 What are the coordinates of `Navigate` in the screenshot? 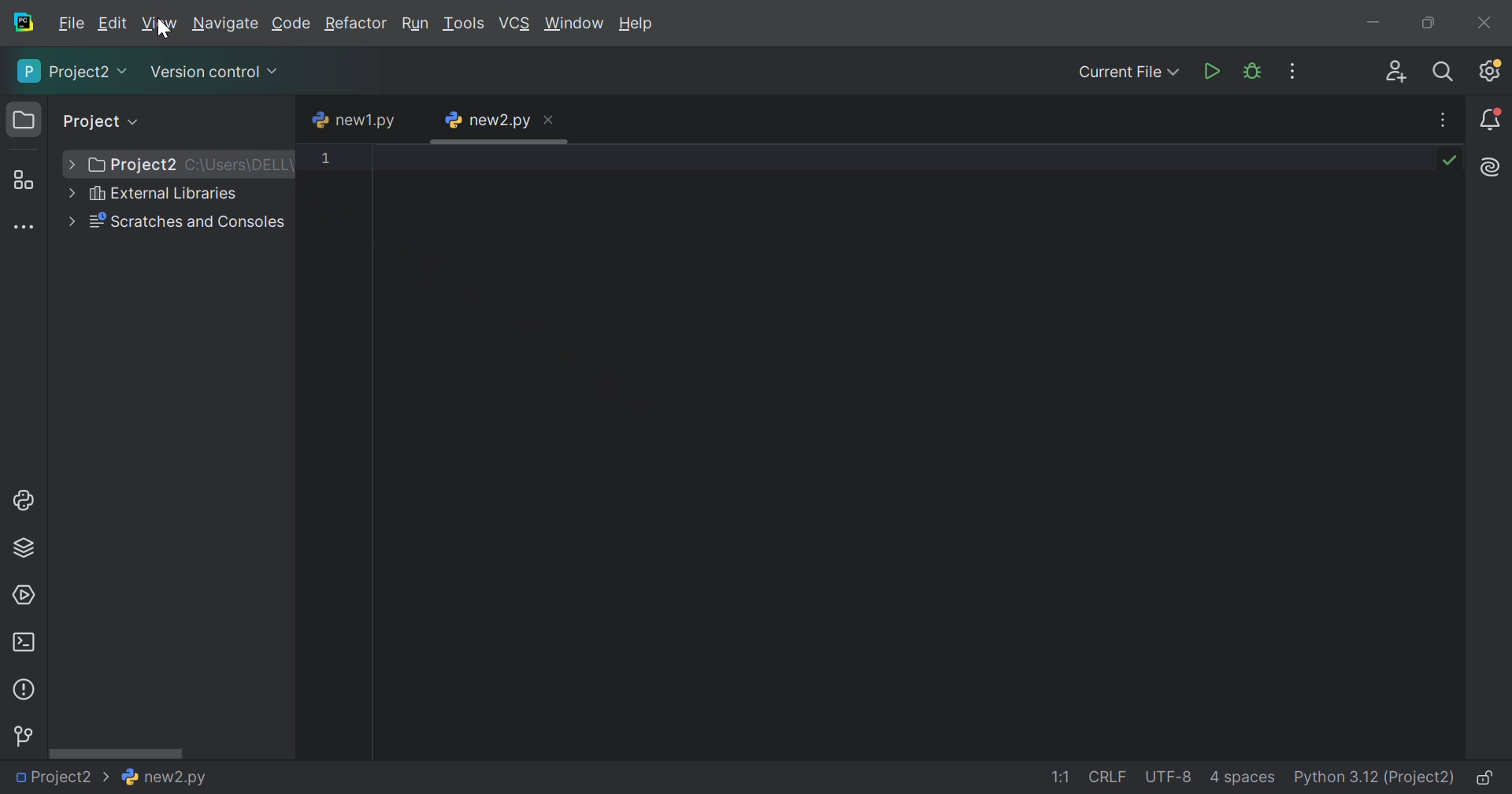 It's located at (227, 25).